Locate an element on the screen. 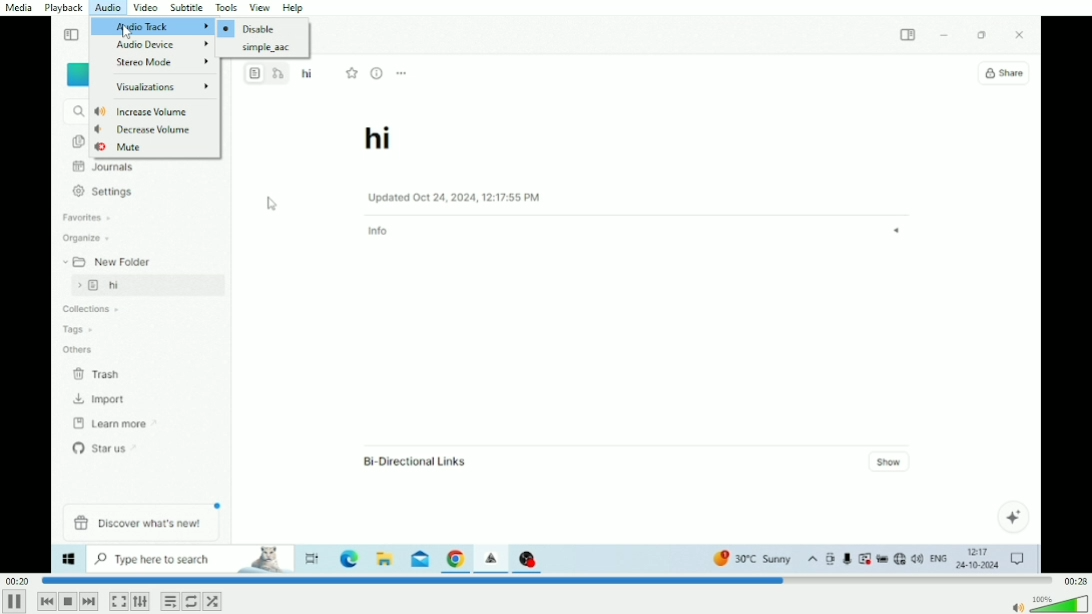  Elapsed time "00:18" is located at coordinates (19, 580).